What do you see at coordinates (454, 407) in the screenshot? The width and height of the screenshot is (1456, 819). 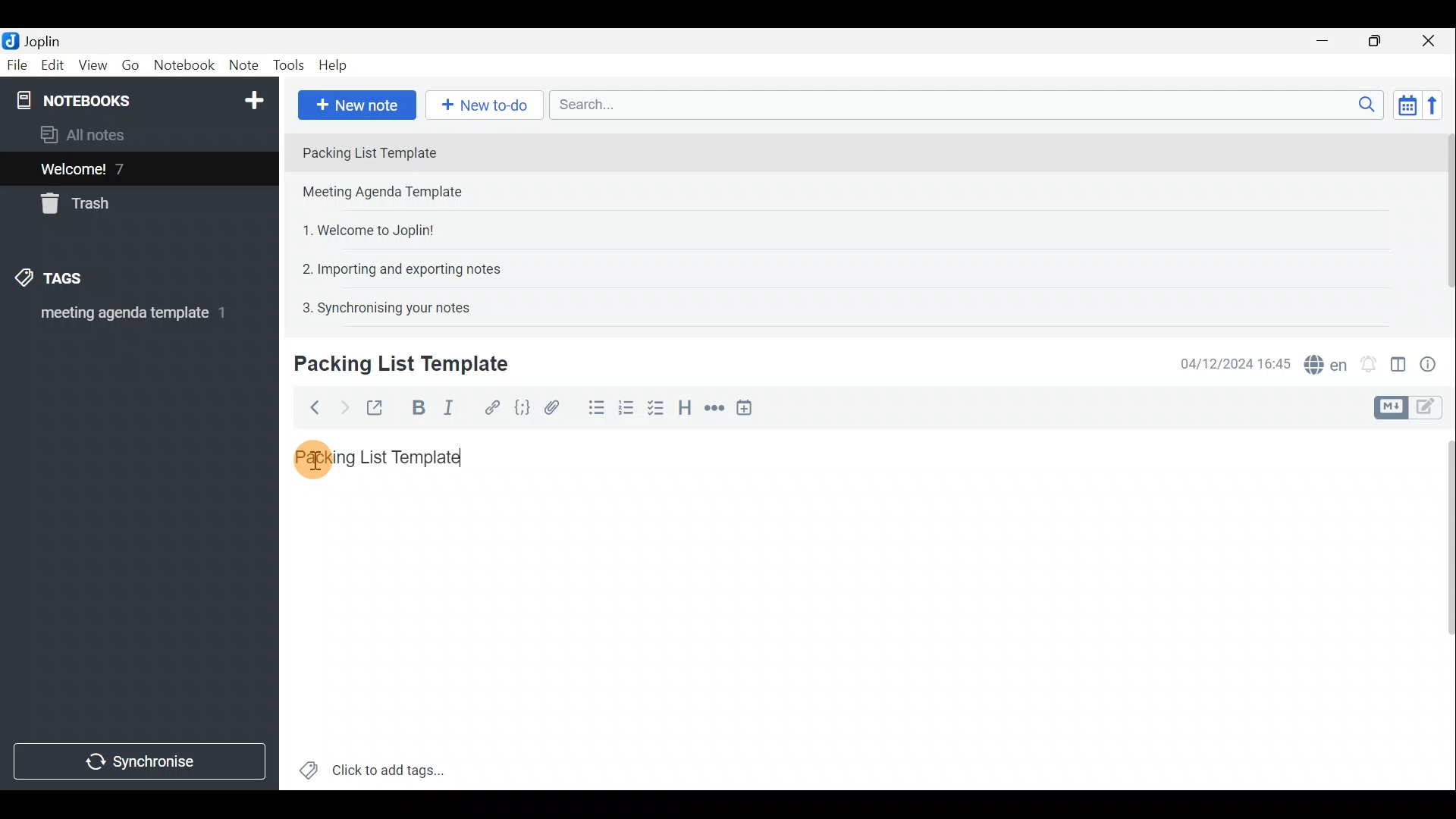 I see `Italic` at bounding box center [454, 407].